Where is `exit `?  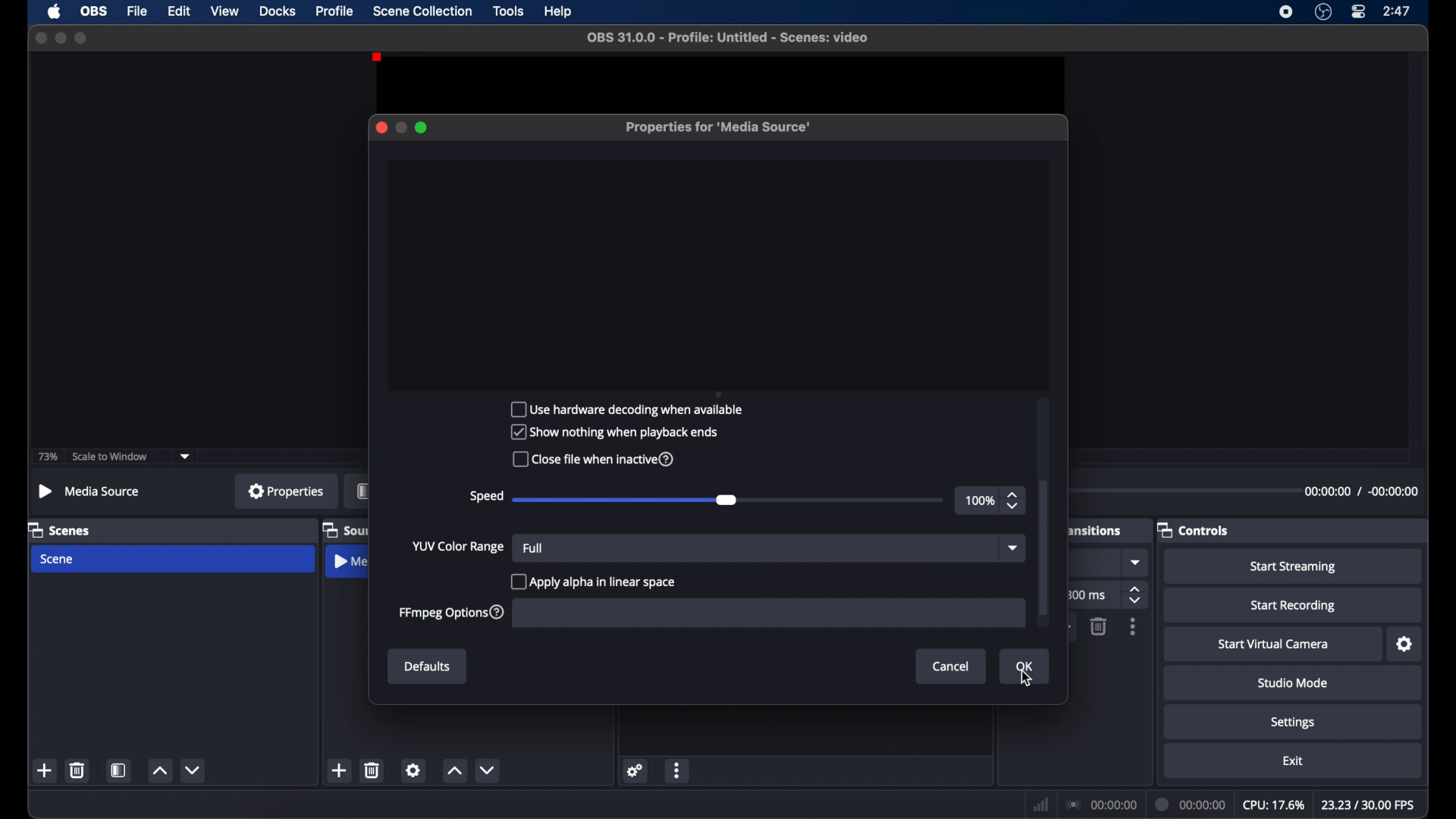 exit  is located at coordinates (1293, 761).